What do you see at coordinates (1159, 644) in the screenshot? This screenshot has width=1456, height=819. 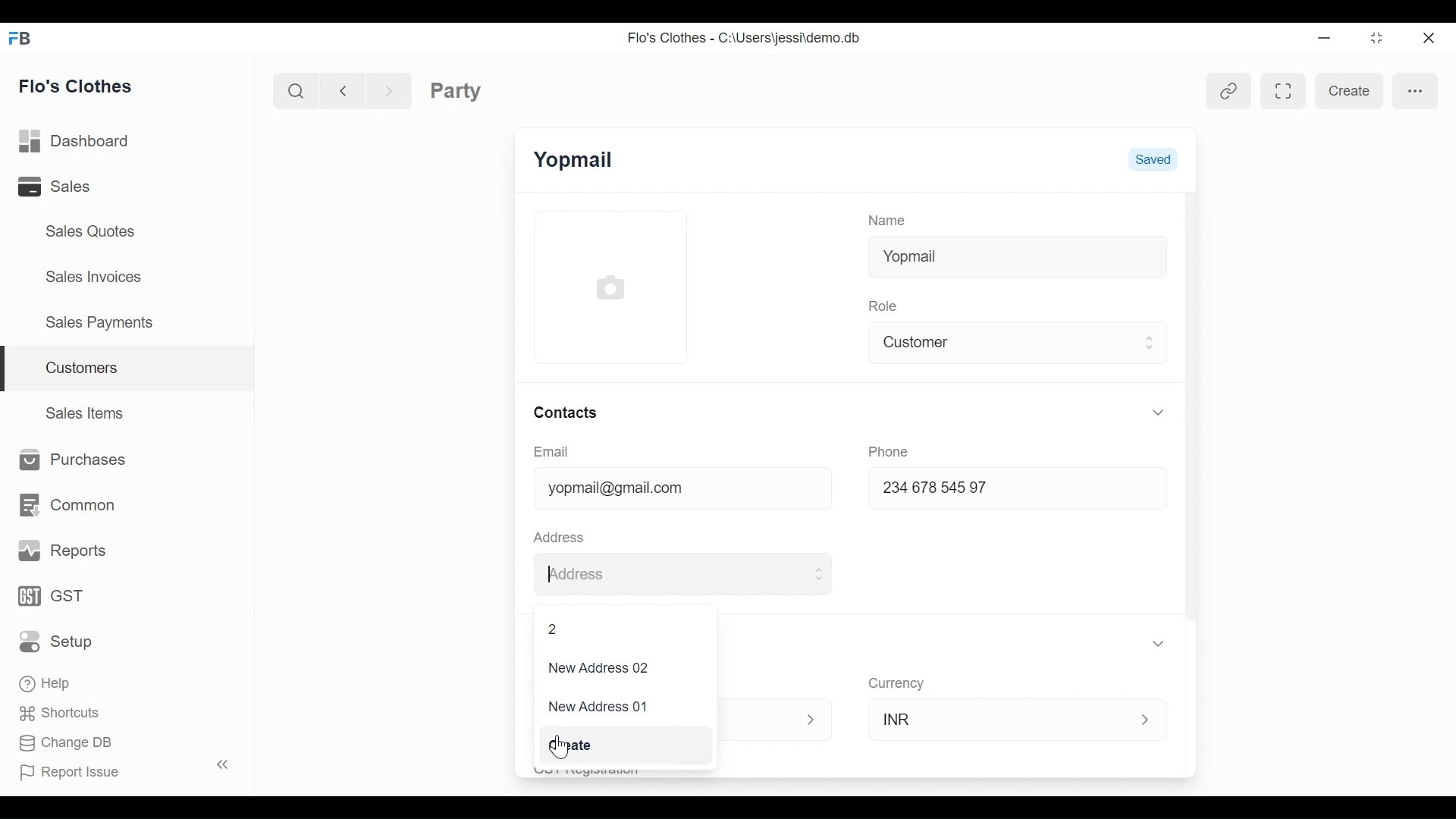 I see `Expand` at bounding box center [1159, 644].